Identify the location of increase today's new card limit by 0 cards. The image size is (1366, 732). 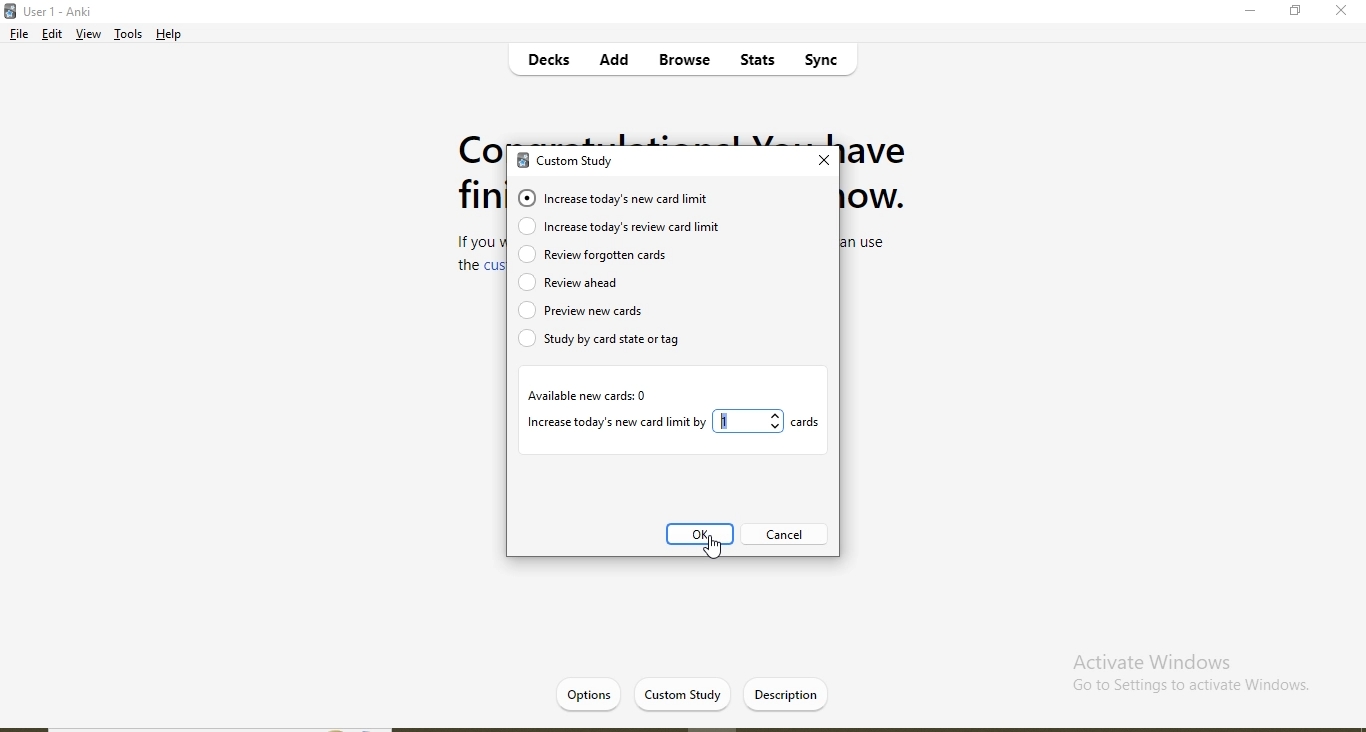
(616, 422).